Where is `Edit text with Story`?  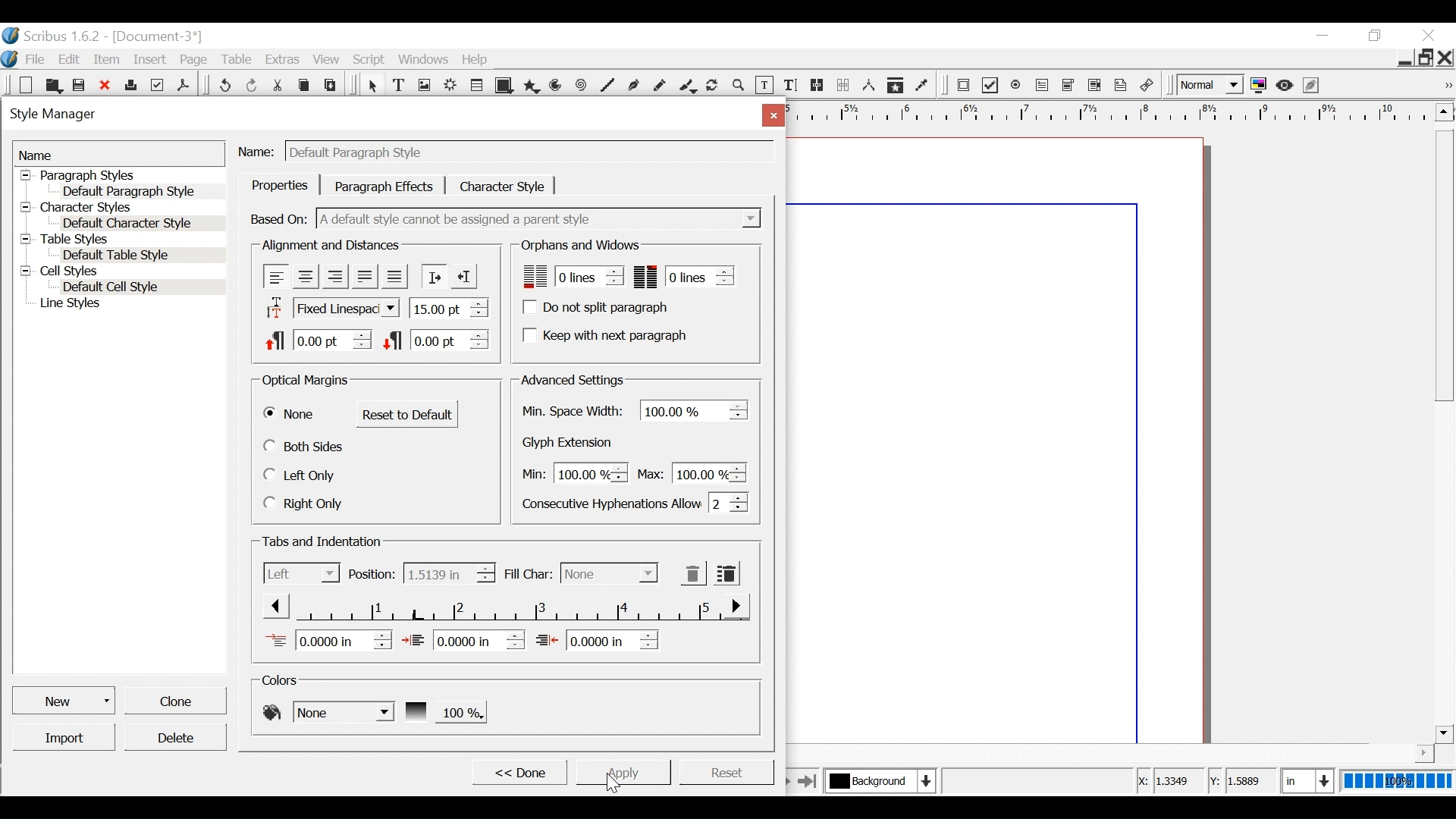 Edit text with Story is located at coordinates (790, 86).